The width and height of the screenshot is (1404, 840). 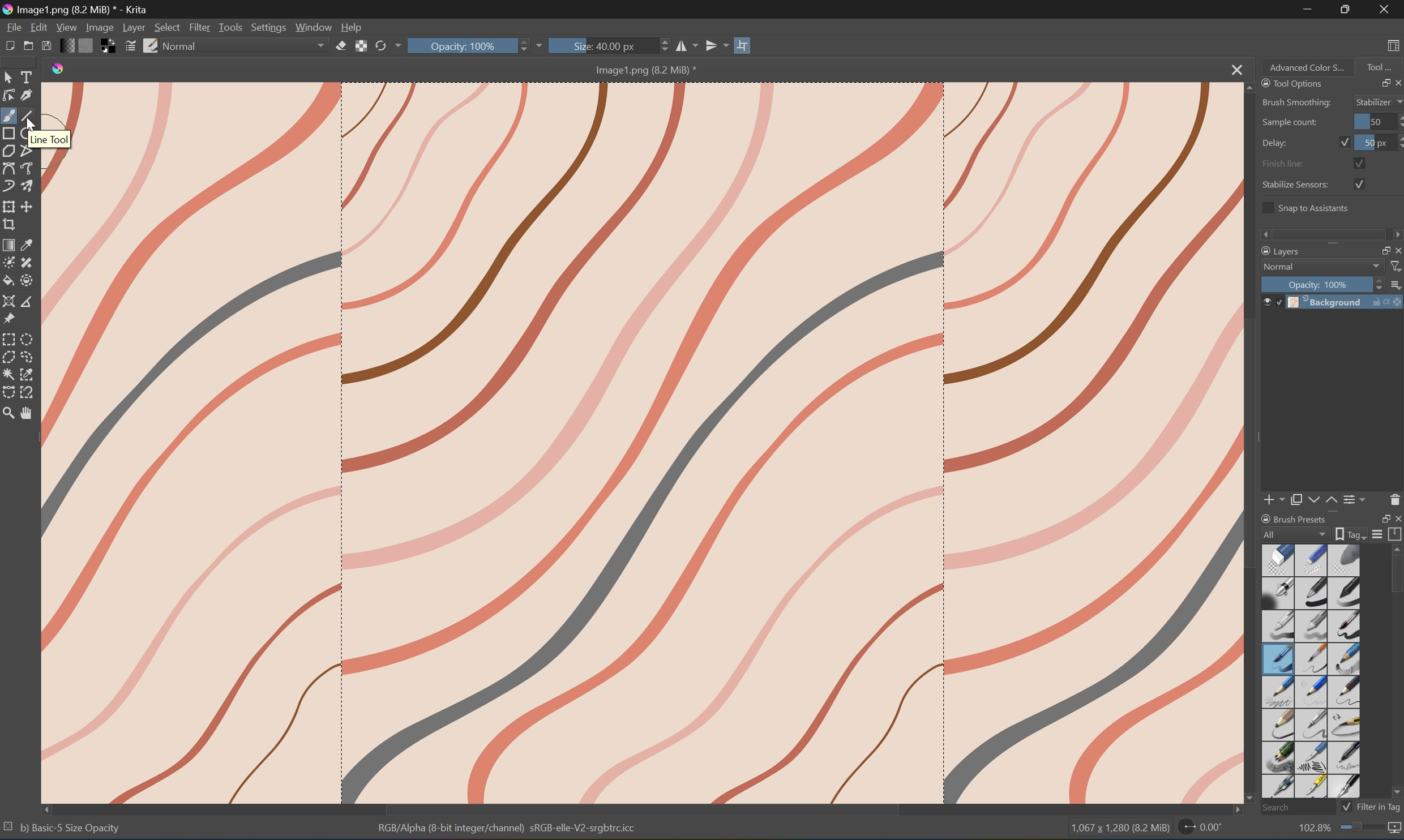 I want to click on Scroll Left, so click(x=48, y=808).